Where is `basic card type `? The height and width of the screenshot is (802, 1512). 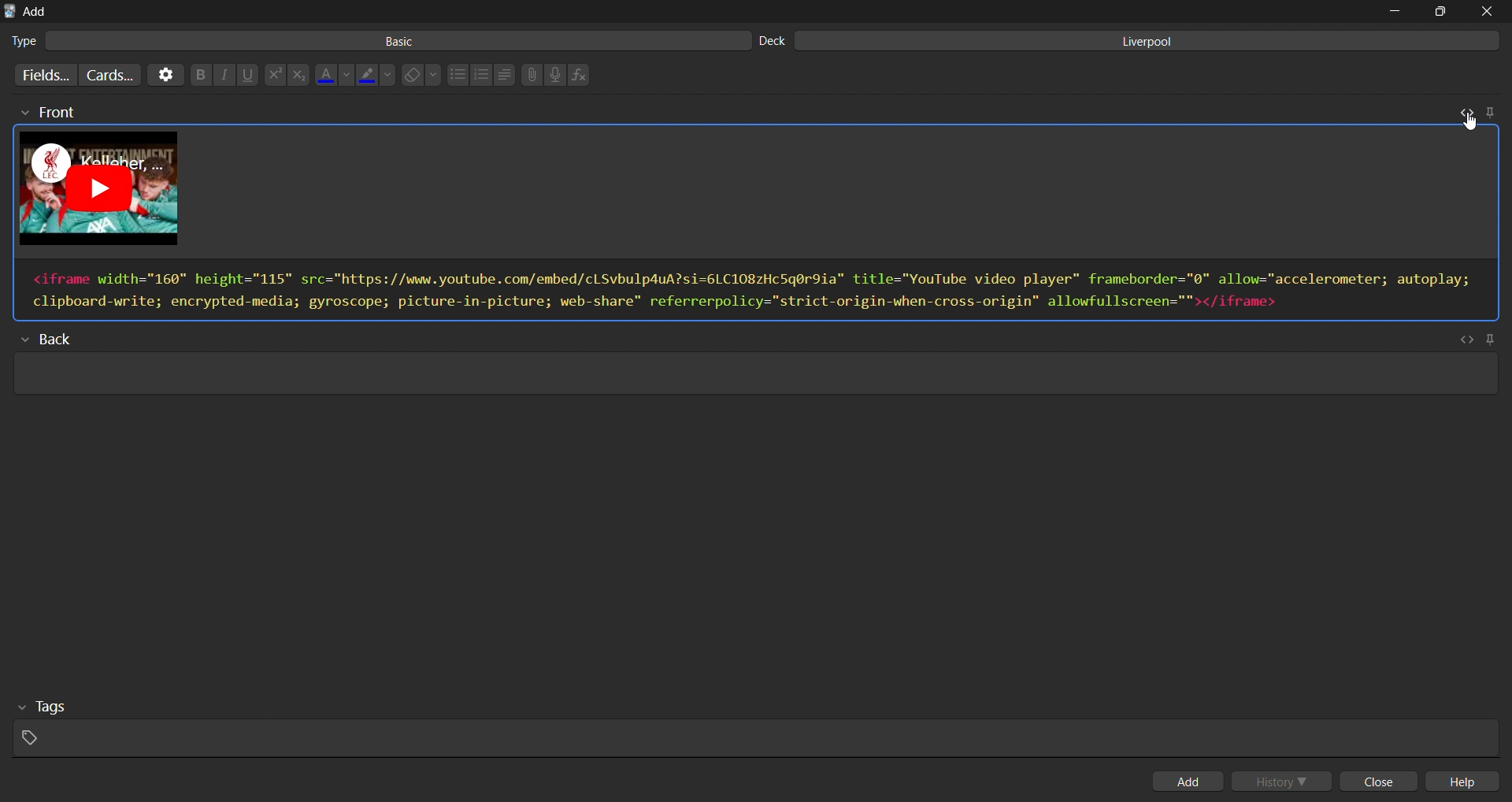
basic card type  is located at coordinates (376, 41).